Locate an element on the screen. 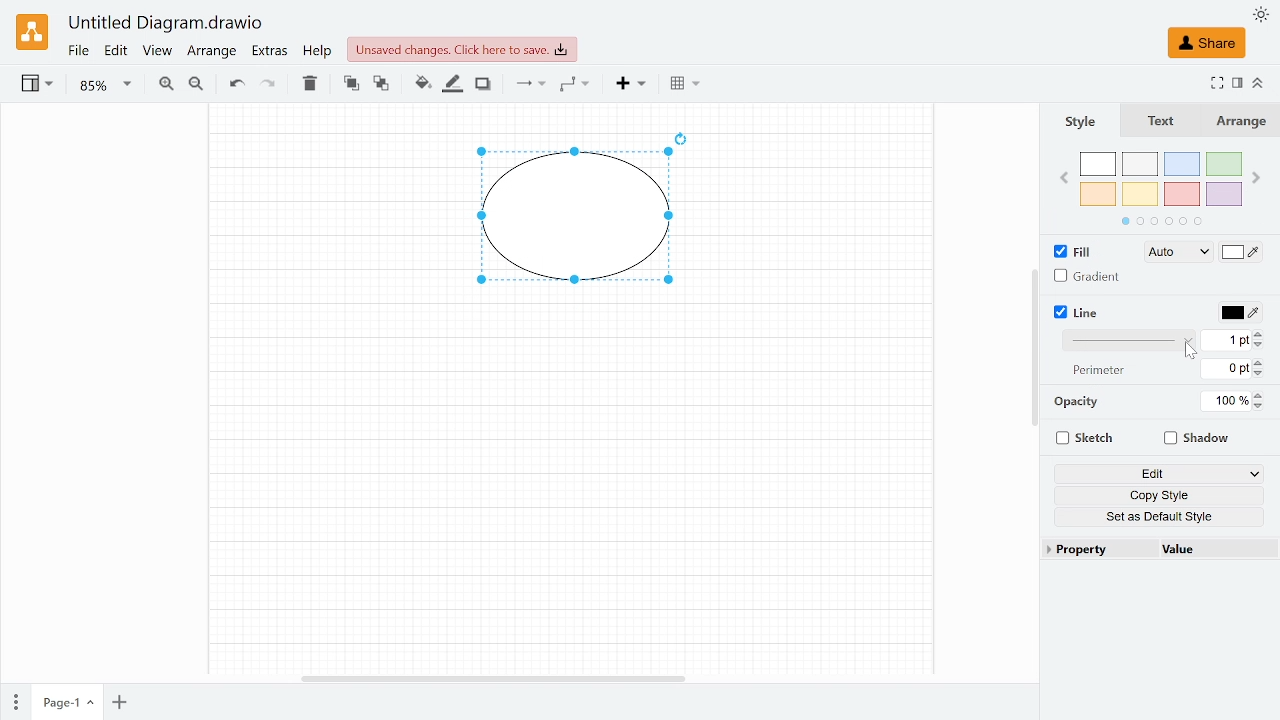 Image resolution: width=1280 pixels, height=720 pixels. Current selected shape (circle) is located at coordinates (569, 219).